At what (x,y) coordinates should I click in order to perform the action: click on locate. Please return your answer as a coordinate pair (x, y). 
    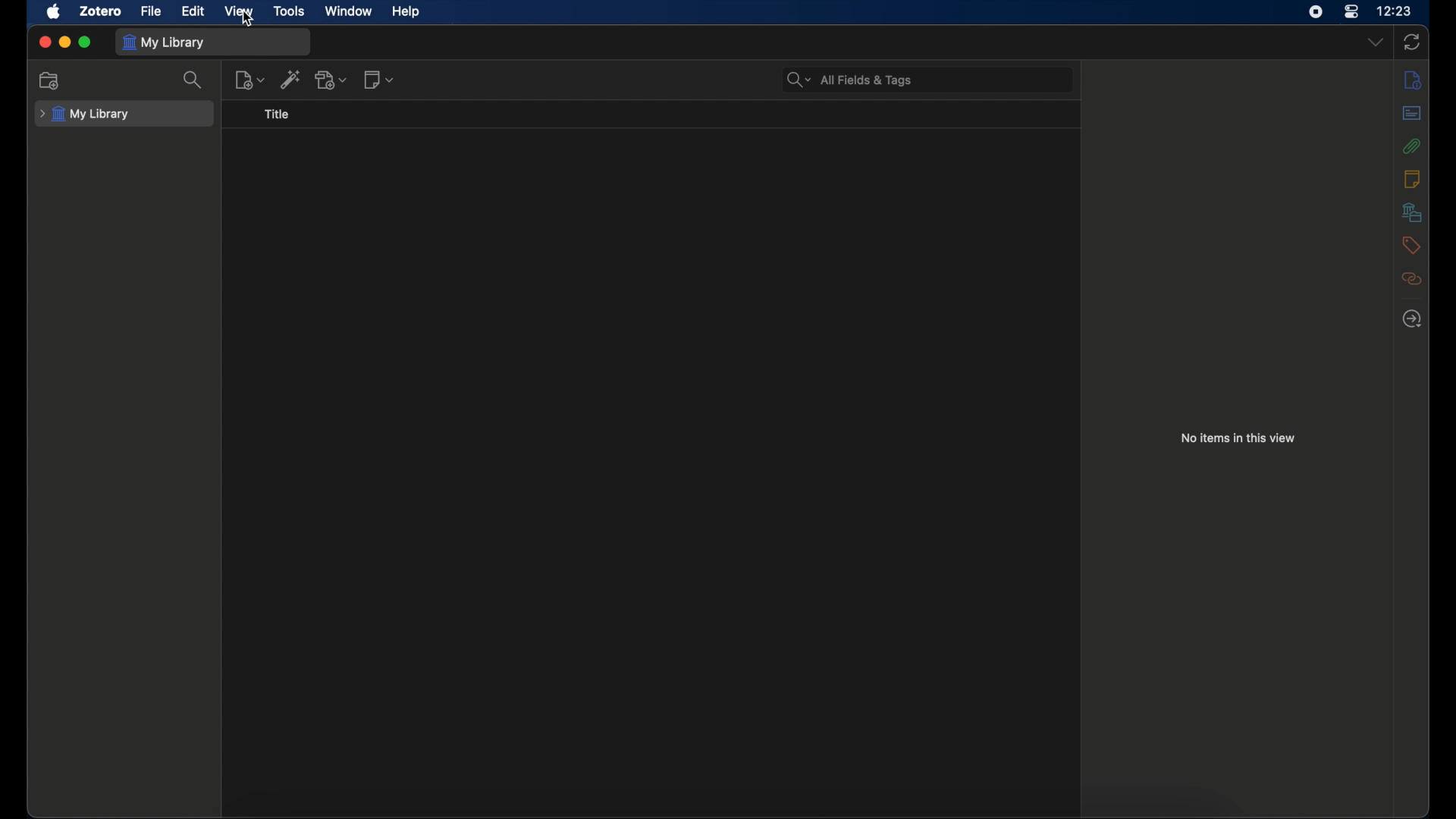
    Looking at the image, I should click on (1412, 319).